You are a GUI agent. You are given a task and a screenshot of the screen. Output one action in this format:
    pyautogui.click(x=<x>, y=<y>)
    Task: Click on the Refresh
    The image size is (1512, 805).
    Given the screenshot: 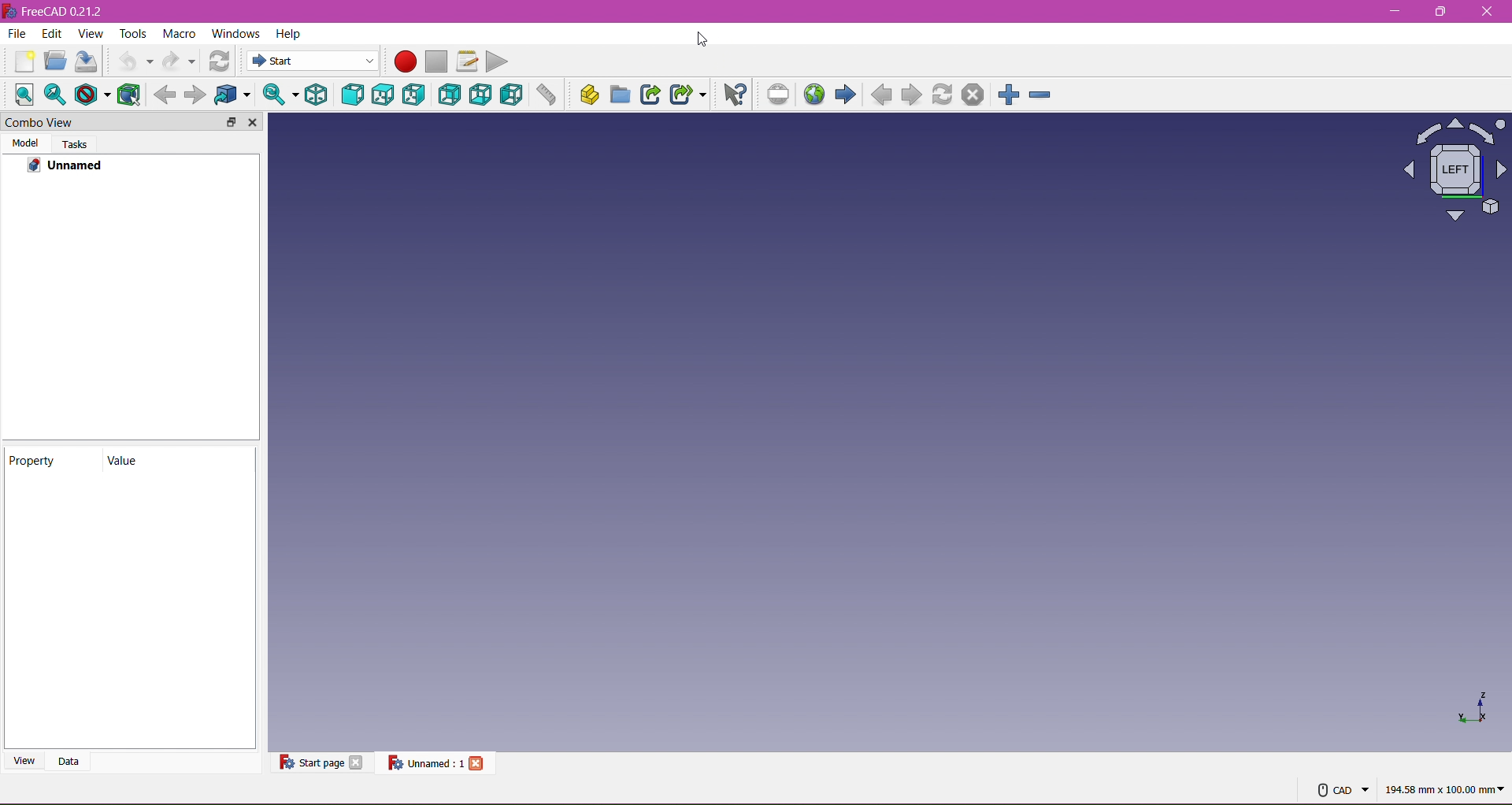 What is the action you would take?
    pyautogui.click(x=943, y=94)
    